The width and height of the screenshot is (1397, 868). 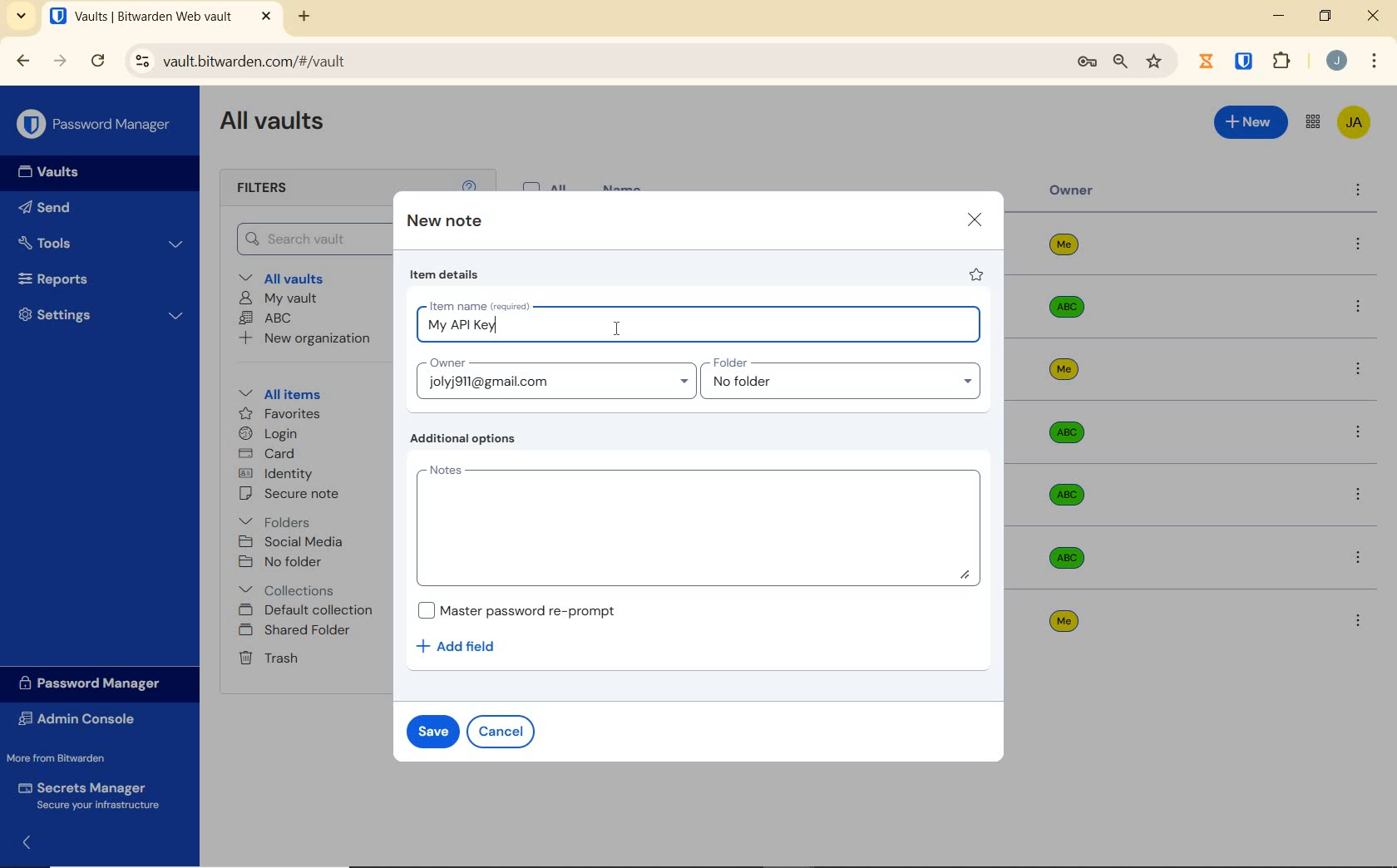 What do you see at coordinates (1208, 61) in the screenshot?
I see `Jibril Extension` at bounding box center [1208, 61].